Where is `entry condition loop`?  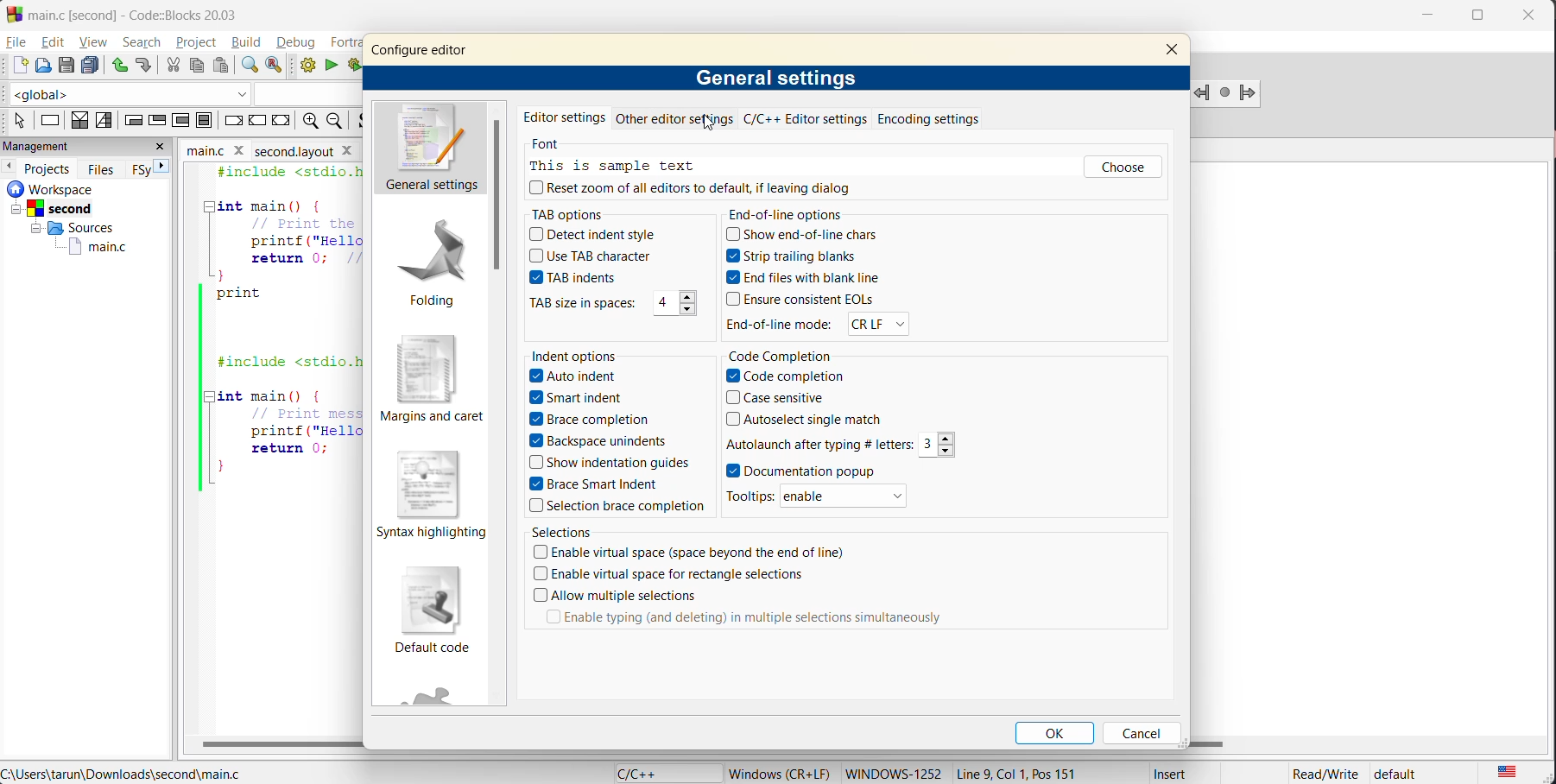
entry condition loop is located at coordinates (132, 121).